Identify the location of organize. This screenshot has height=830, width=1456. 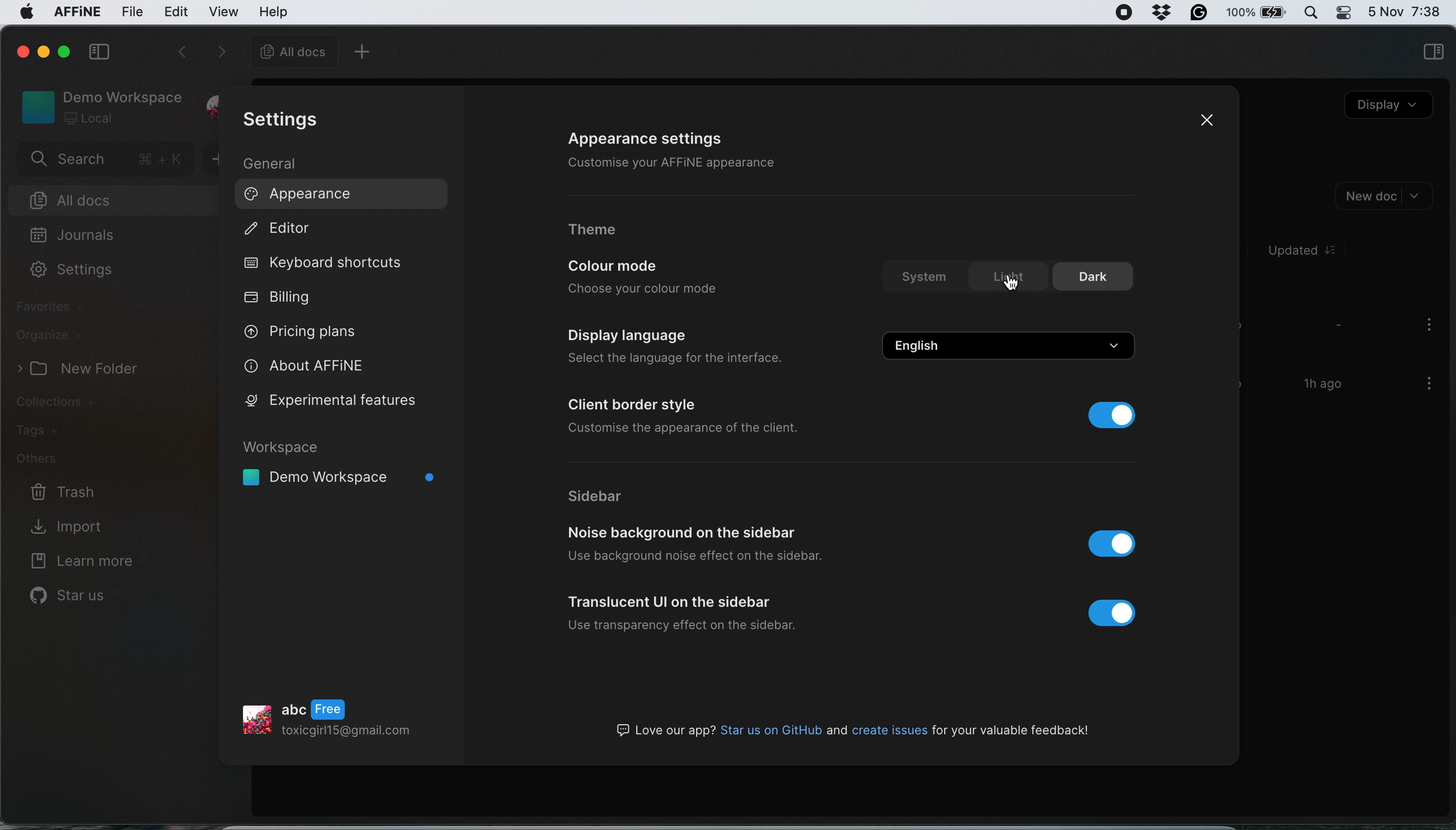
(48, 335).